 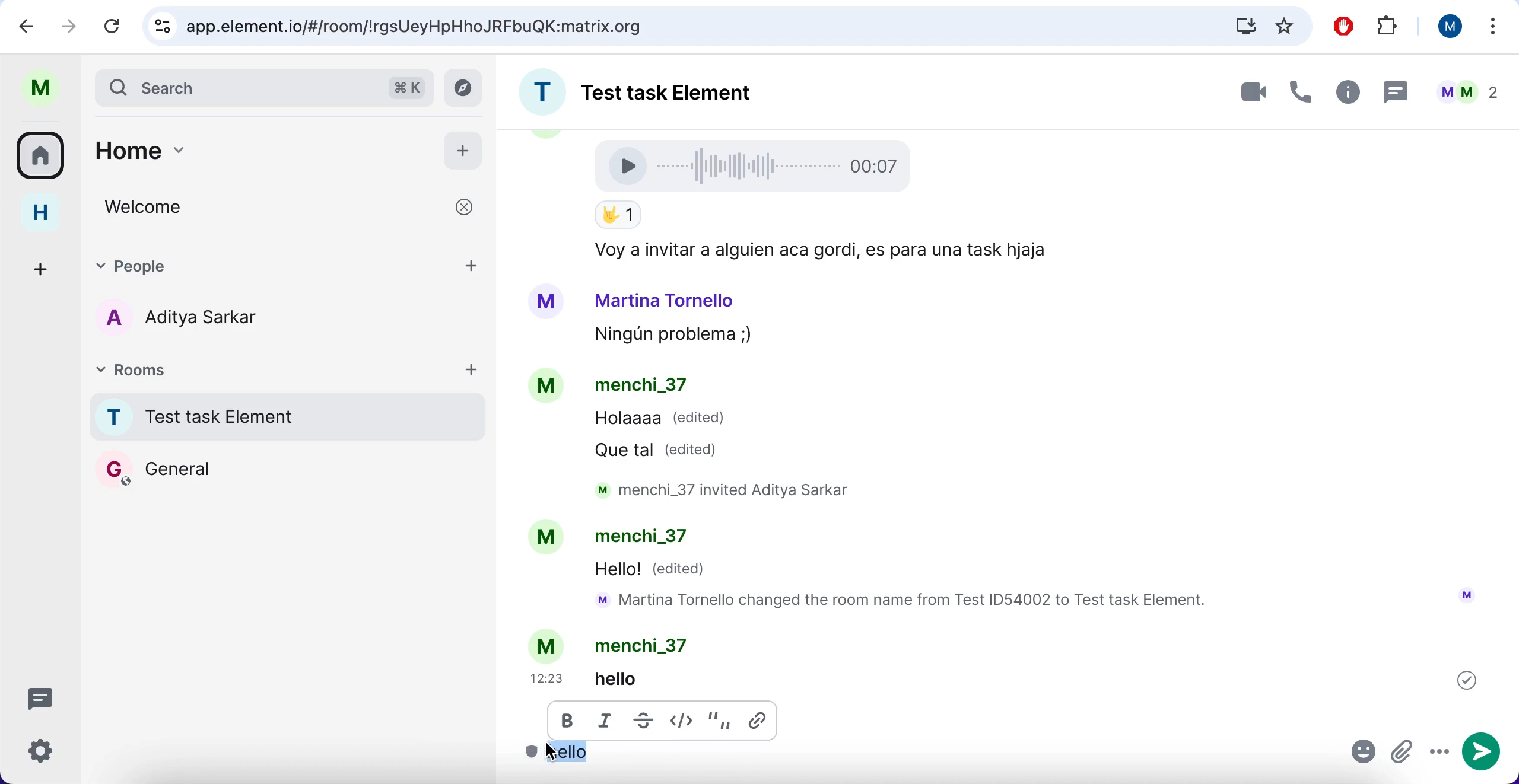 I want to click on Voice Recording 00:07, so click(x=757, y=165).